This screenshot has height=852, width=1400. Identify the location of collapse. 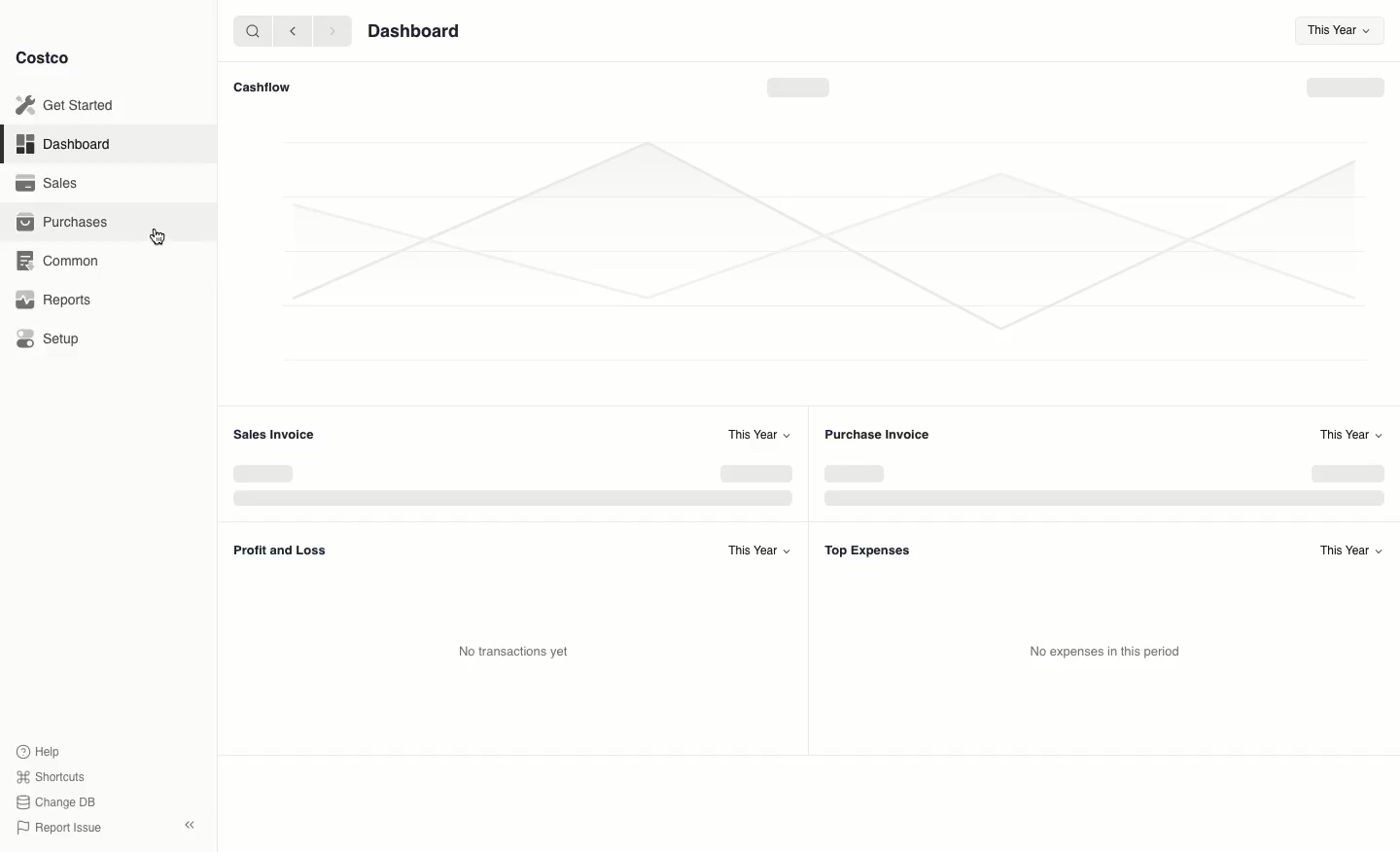
(189, 825).